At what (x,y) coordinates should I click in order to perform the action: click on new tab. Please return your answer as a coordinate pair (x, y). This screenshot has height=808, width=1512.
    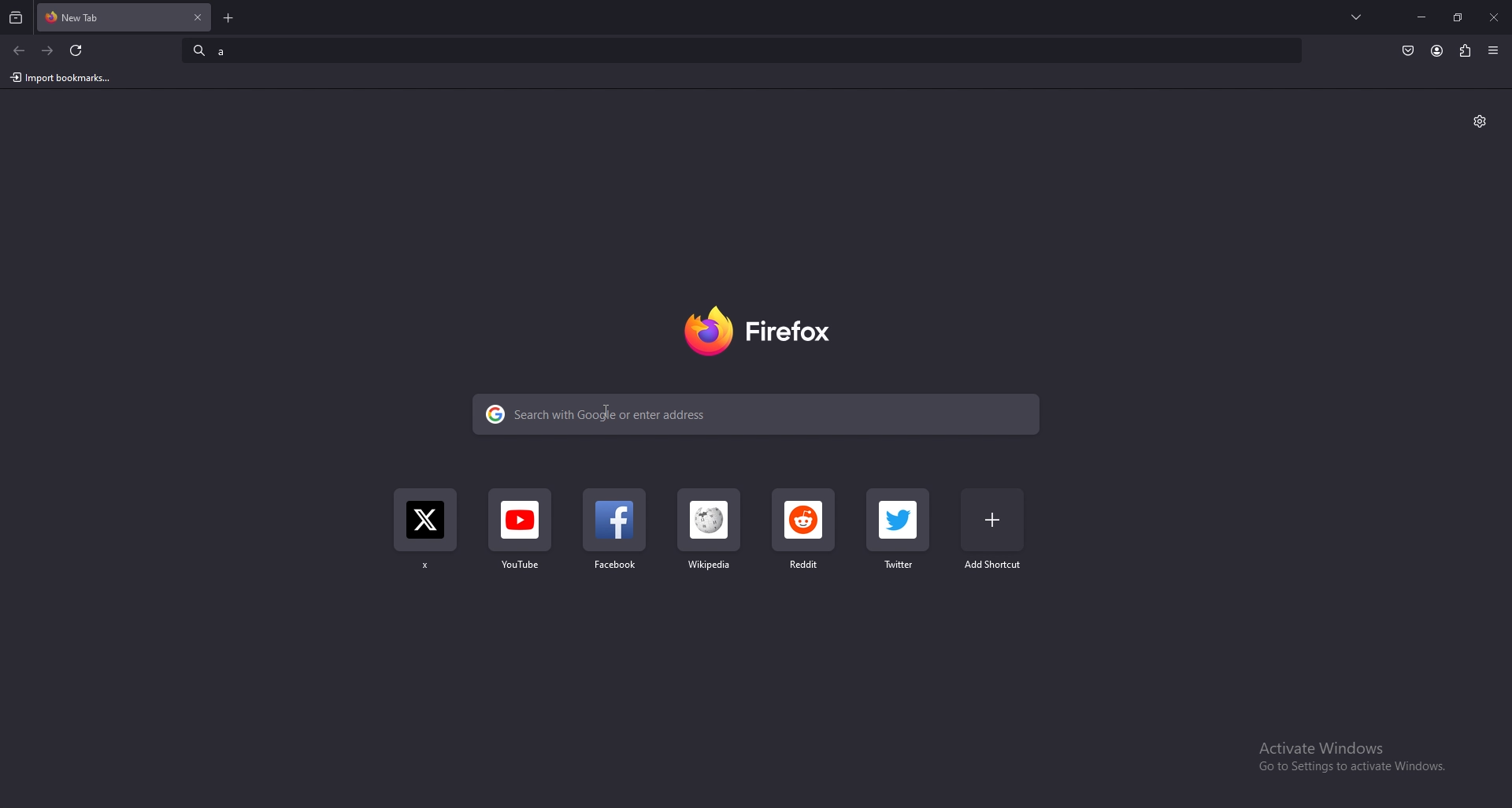
    Looking at the image, I should click on (231, 18).